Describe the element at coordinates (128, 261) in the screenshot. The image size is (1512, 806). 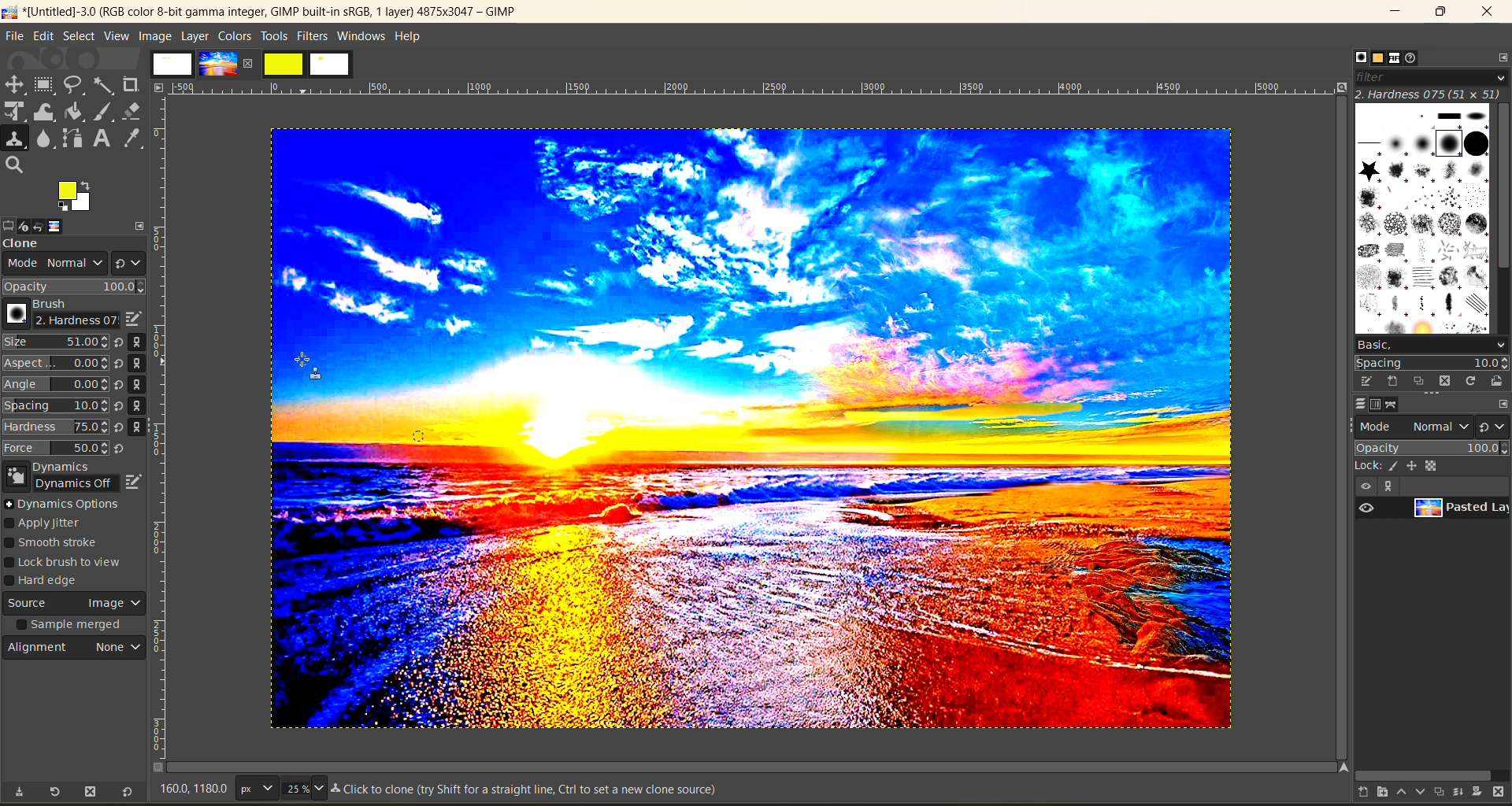
I see `switch to another group` at that location.